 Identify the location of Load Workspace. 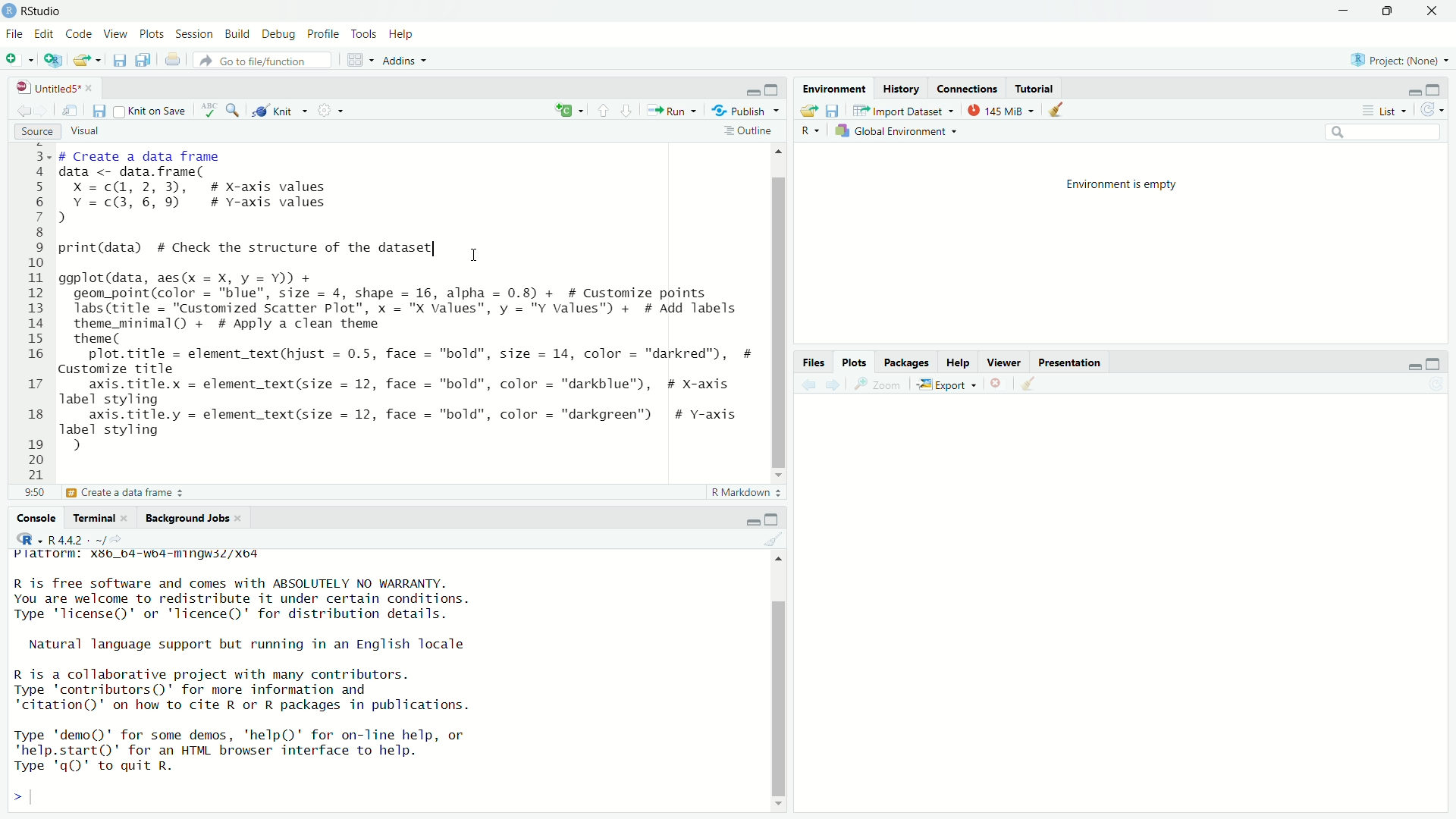
(810, 111).